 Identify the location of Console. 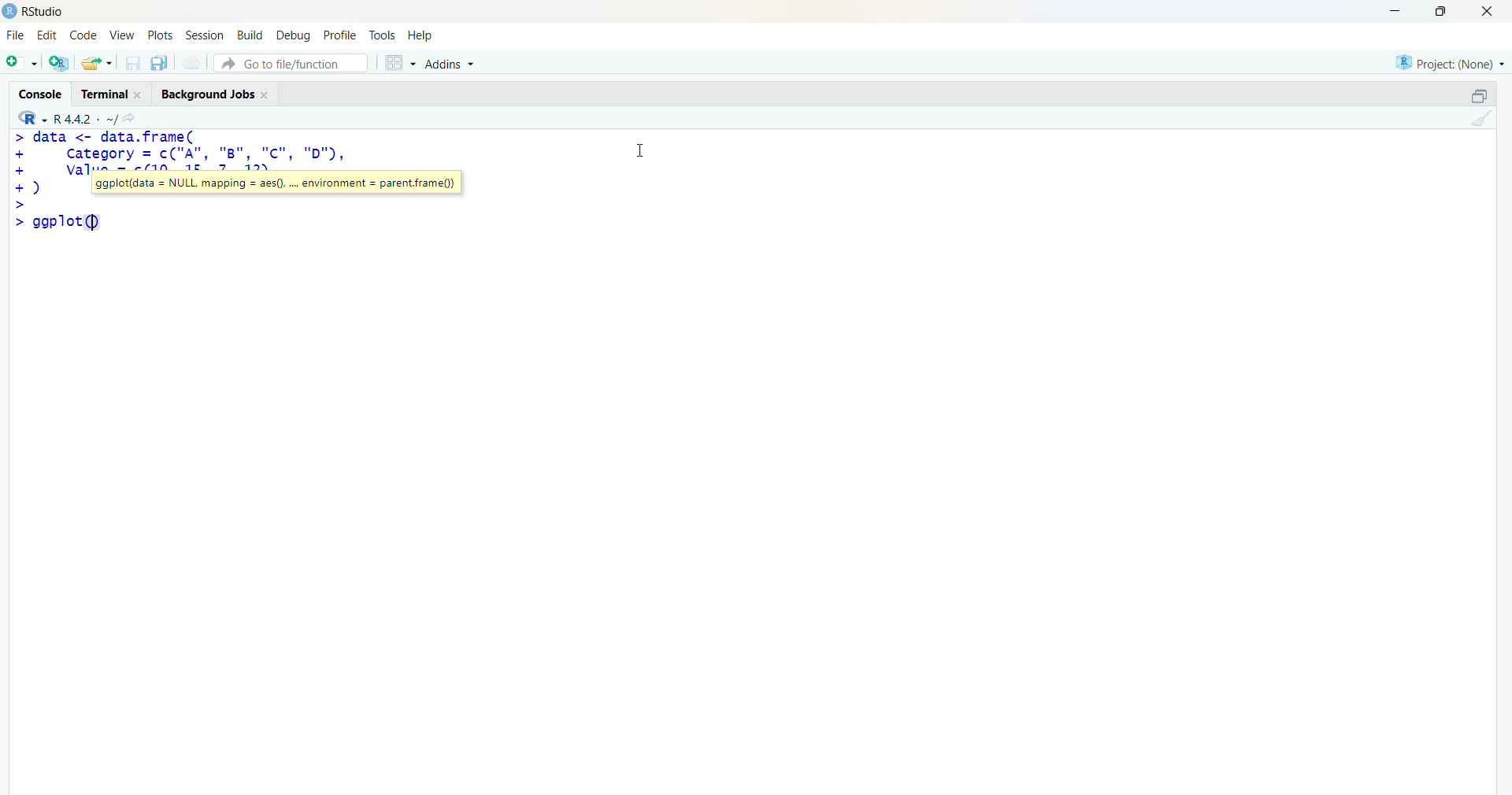
(44, 92).